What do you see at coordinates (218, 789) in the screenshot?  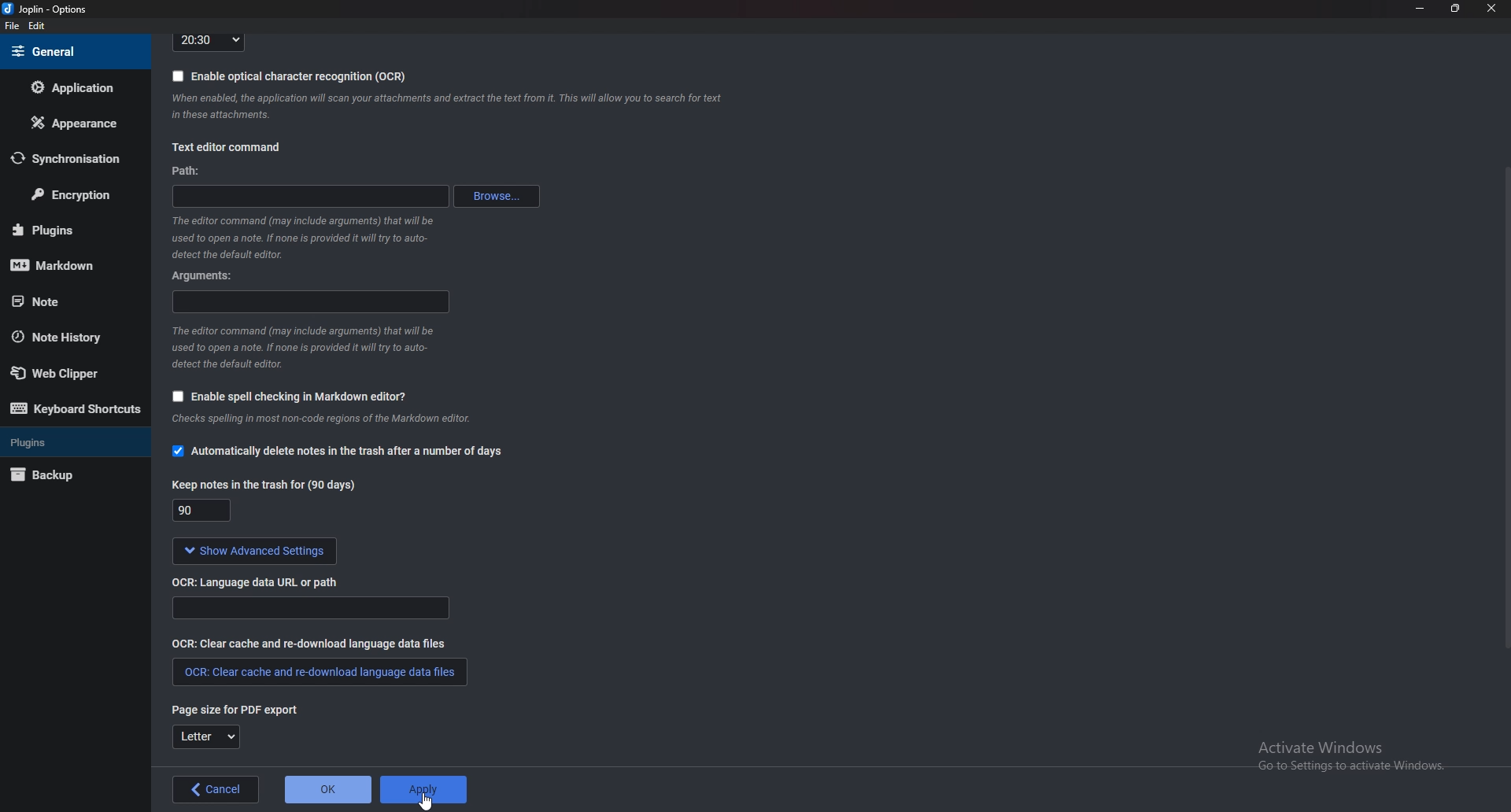 I see `back` at bounding box center [218, 789].